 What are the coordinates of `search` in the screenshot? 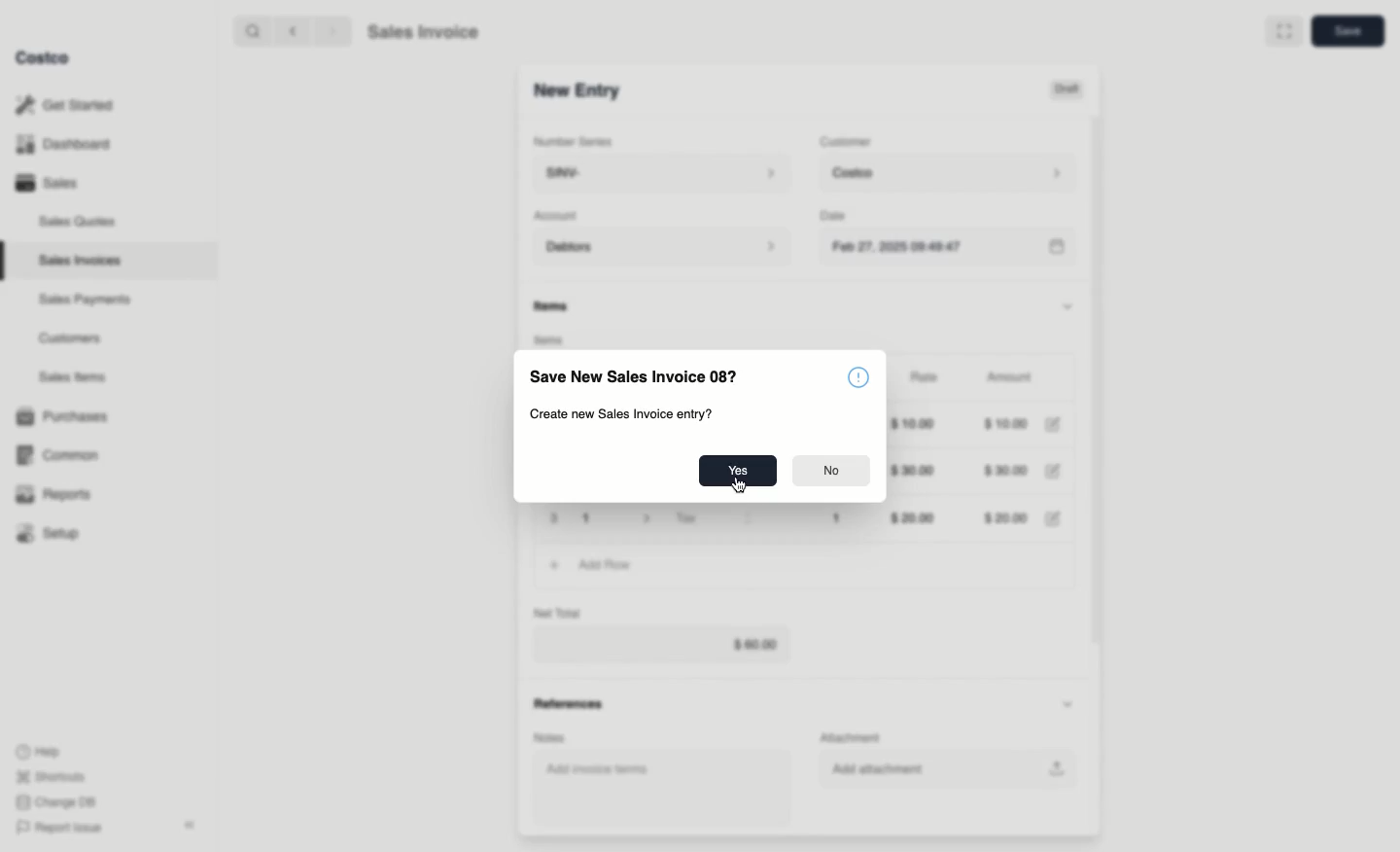 It's located at (249, 30).